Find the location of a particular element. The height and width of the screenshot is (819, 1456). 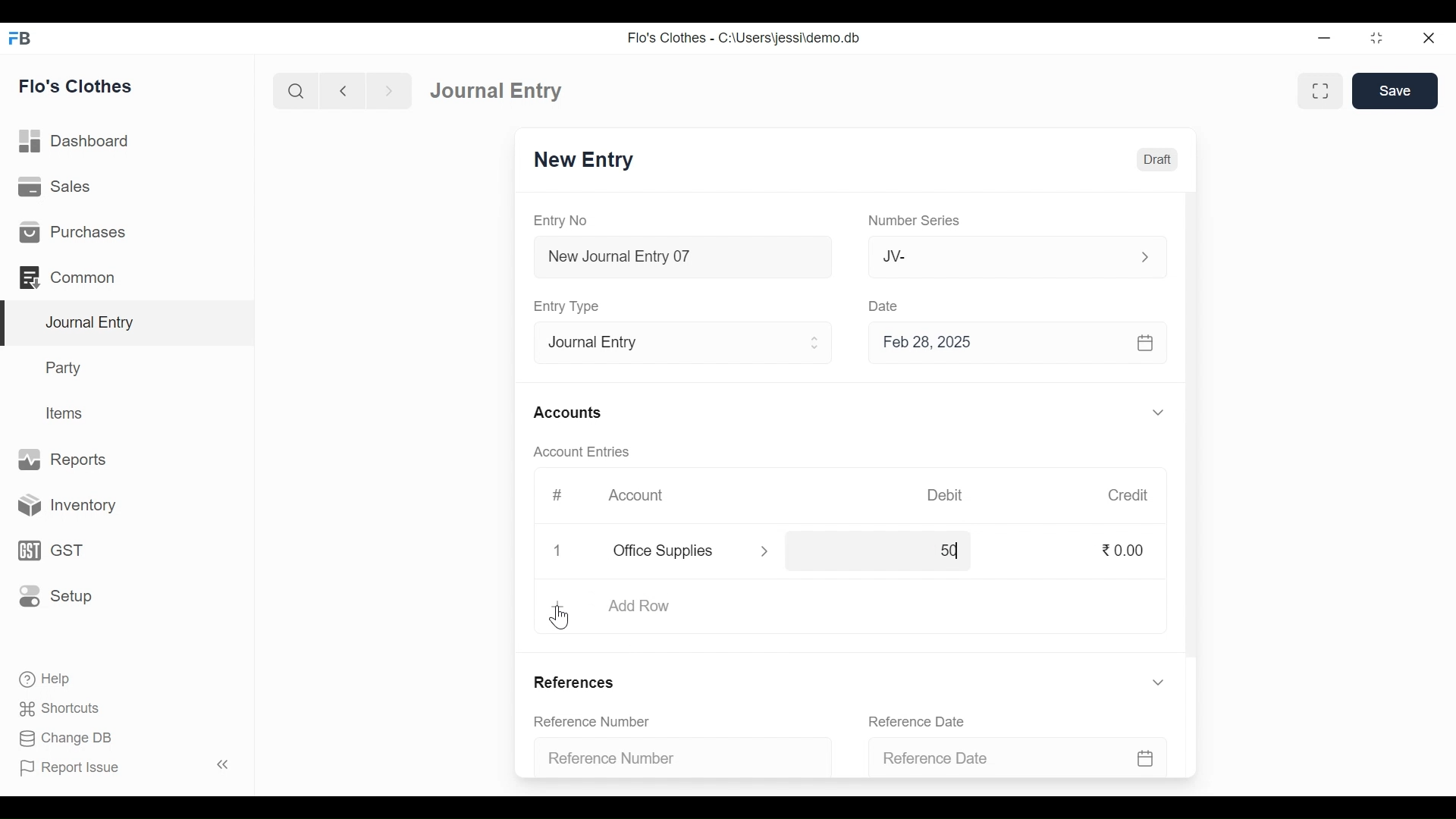

Reports is located at coordinates (64, 458).